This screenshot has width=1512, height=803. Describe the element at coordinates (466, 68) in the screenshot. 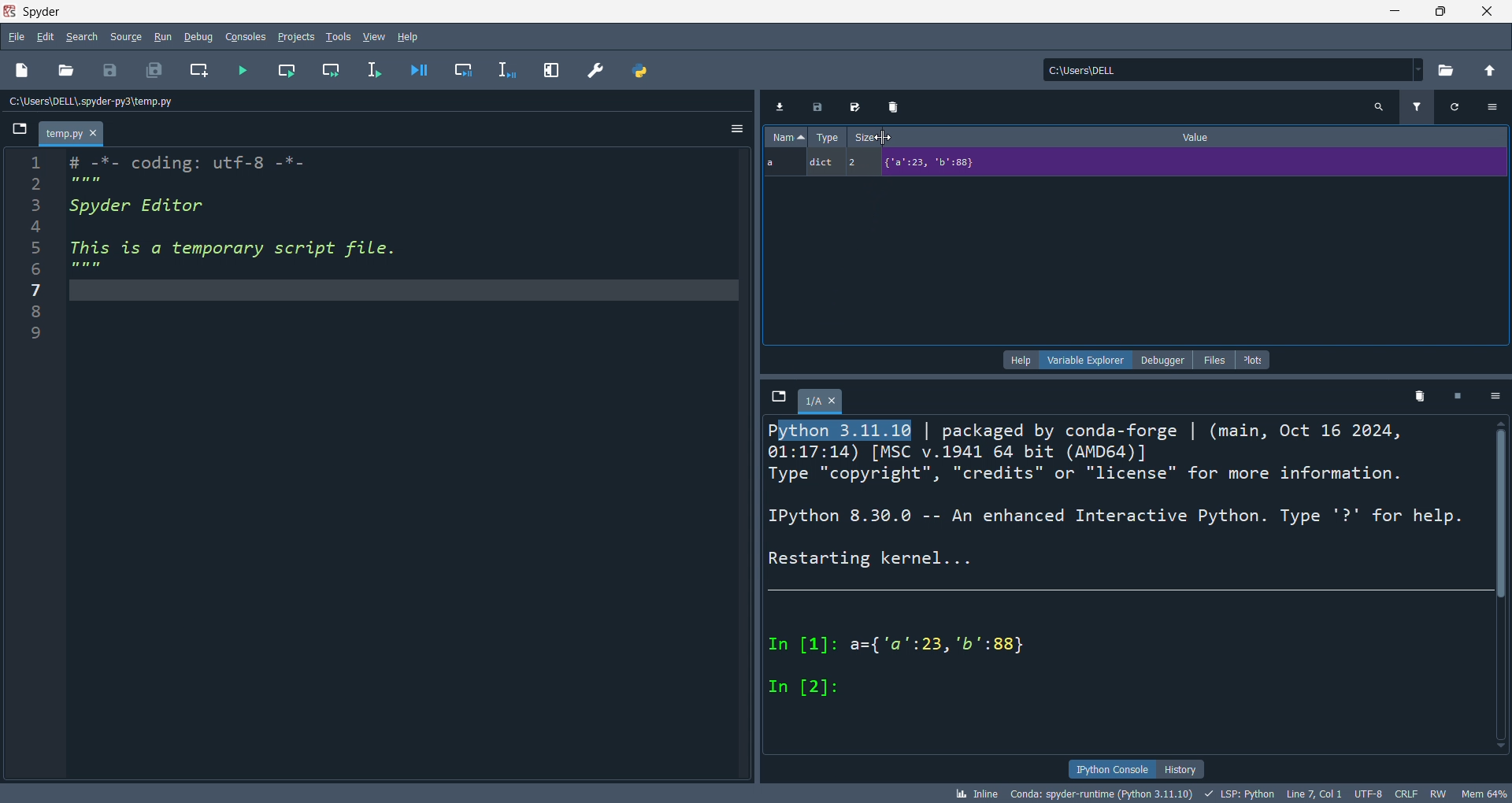

I see `debug cell` at that location.